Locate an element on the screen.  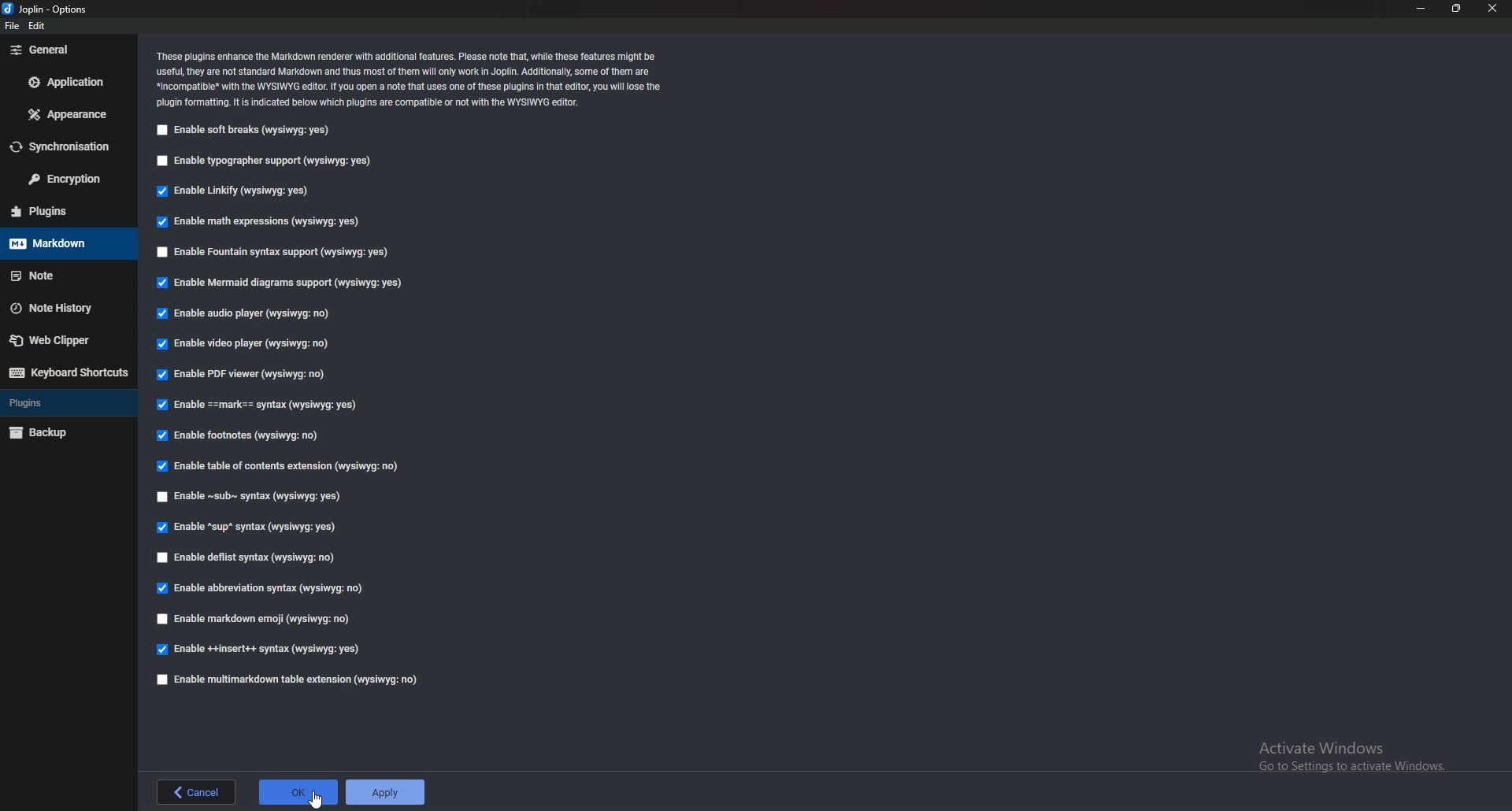
markdown is located at coordinates (69, 243).